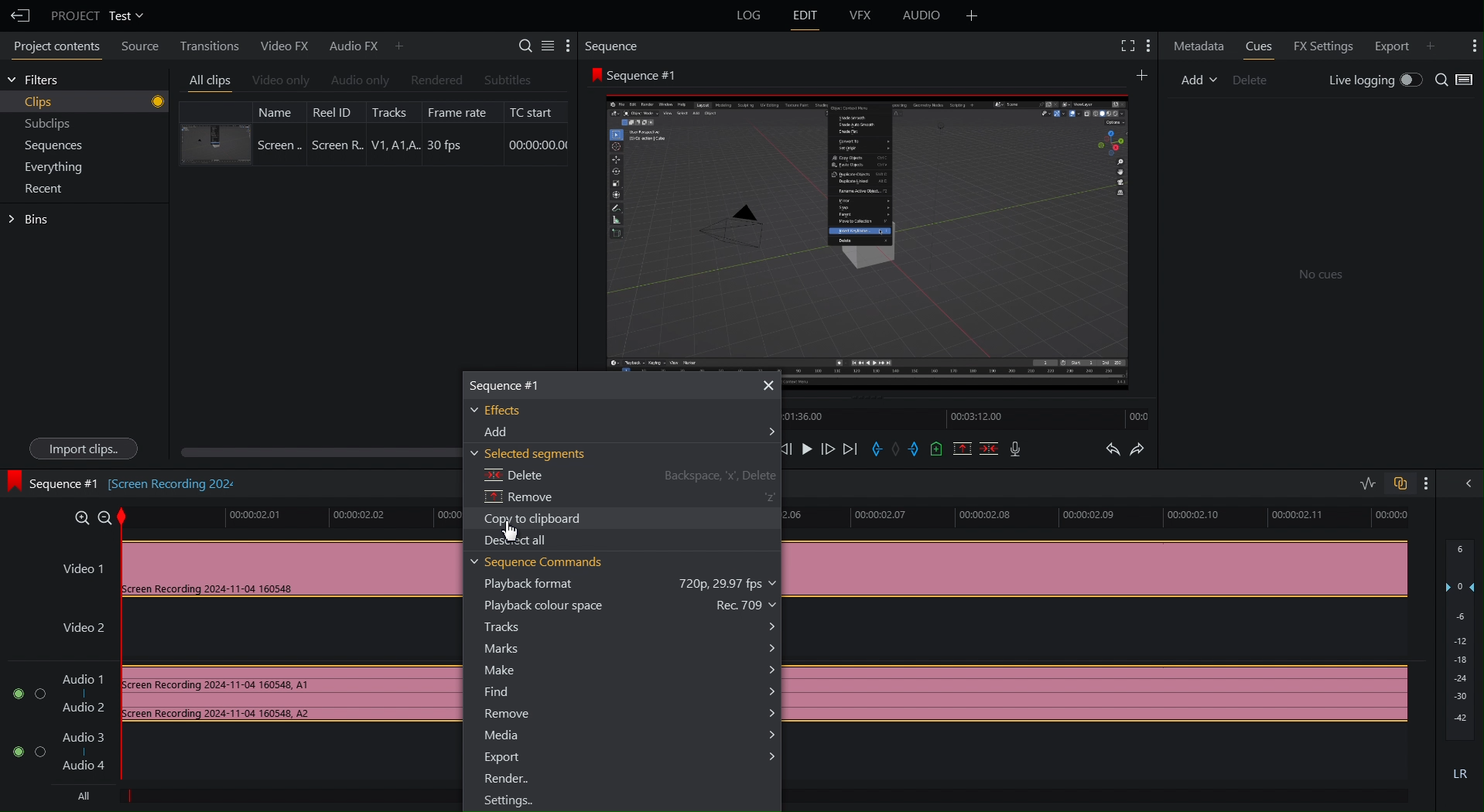  I want to click on Scroll bar, so click(316, 449).